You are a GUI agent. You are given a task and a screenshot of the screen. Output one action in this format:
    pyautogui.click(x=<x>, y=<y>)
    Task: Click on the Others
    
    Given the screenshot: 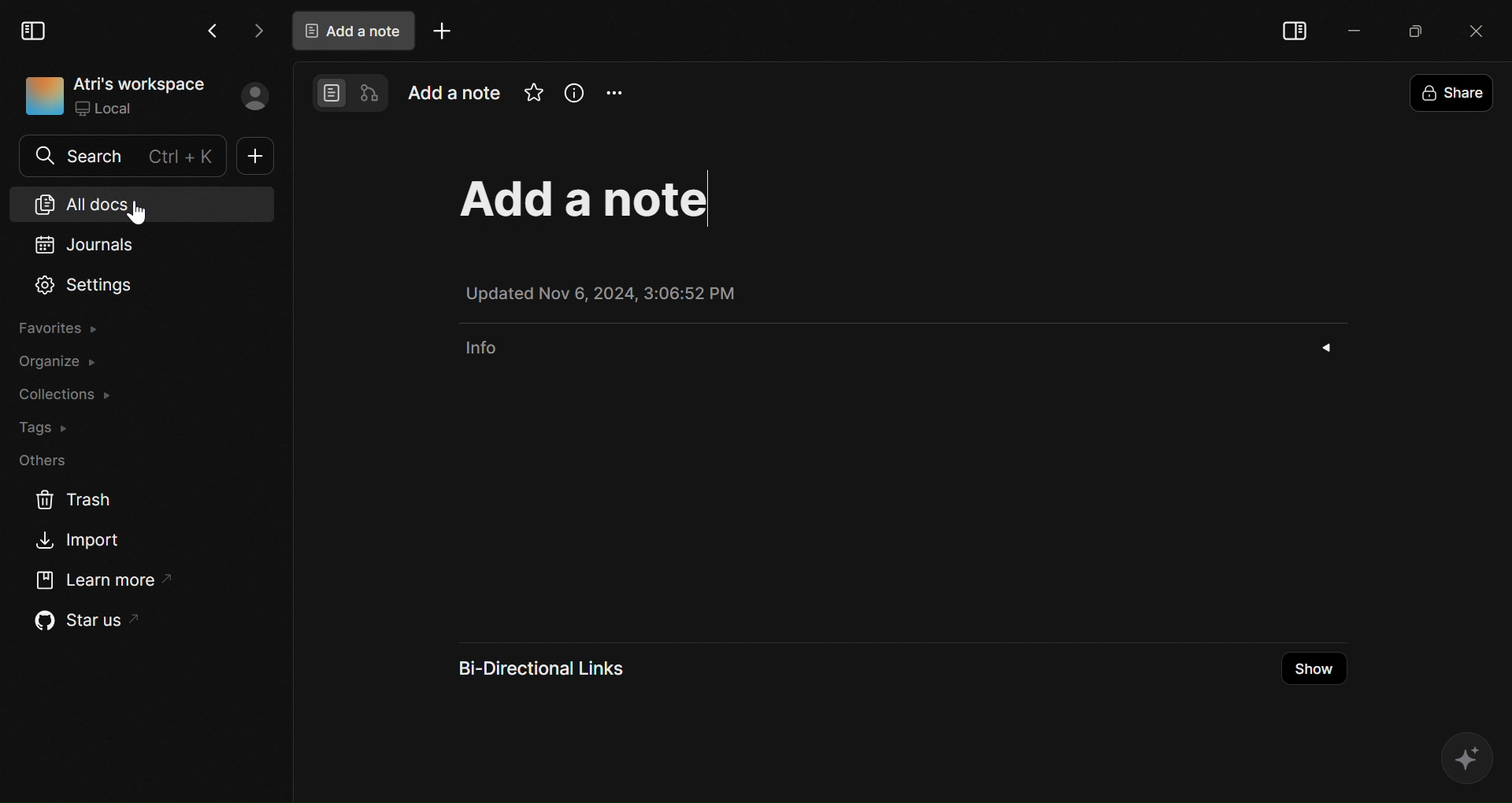 What is the action you would take?
    pyautogui.click(x=48, y=461)
    